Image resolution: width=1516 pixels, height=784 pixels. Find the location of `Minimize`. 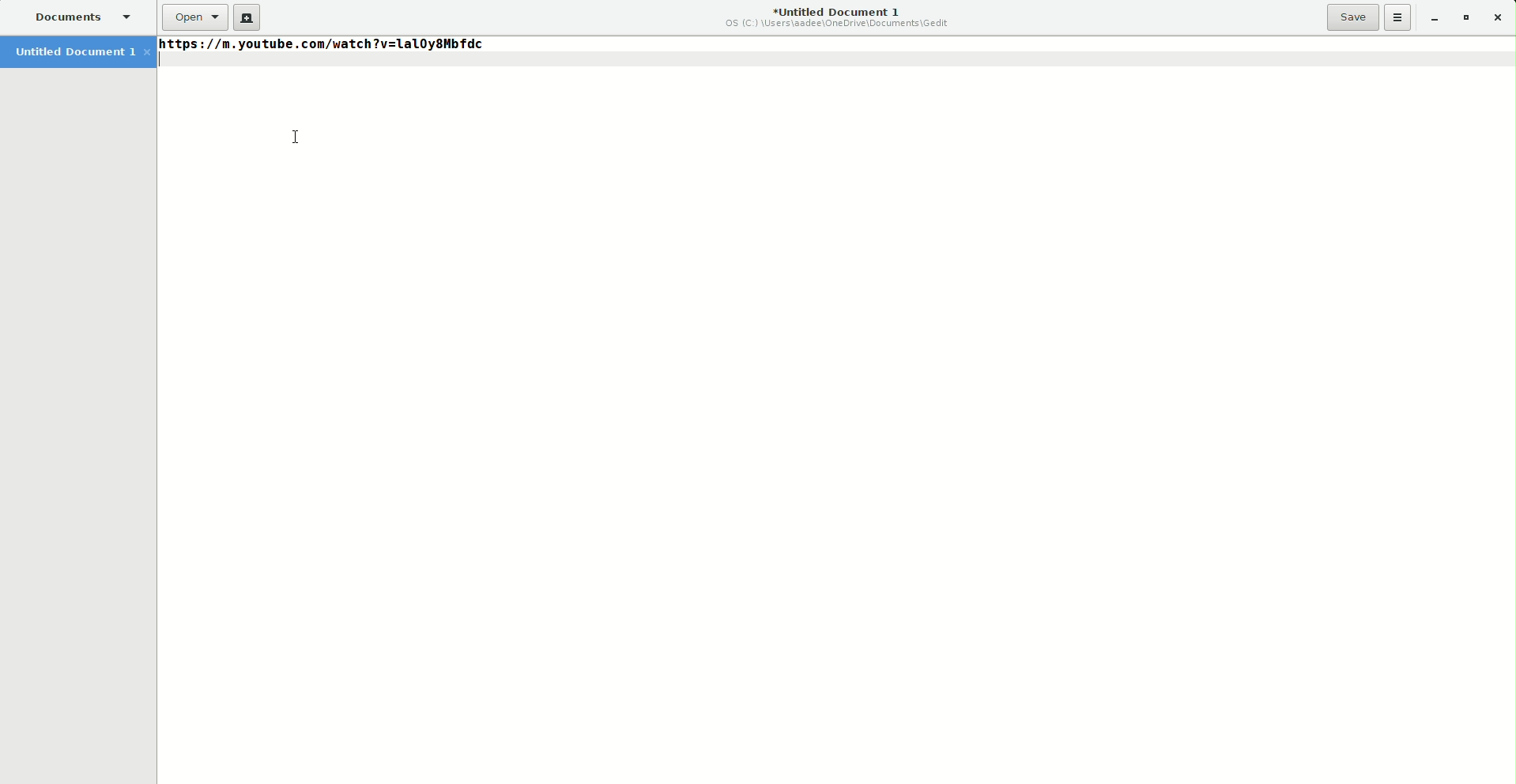

Minimize is located at coordinates (1431, 17).